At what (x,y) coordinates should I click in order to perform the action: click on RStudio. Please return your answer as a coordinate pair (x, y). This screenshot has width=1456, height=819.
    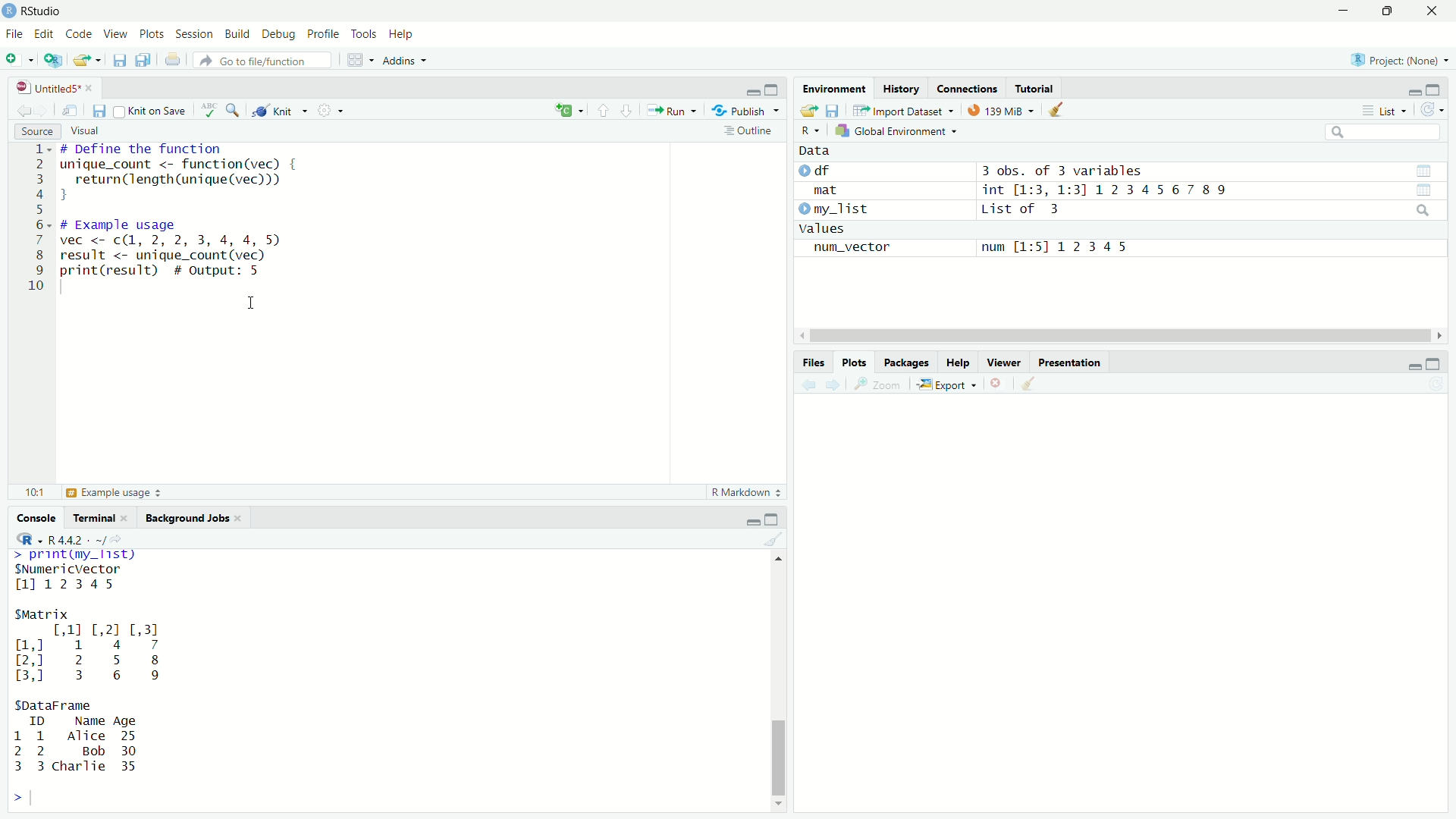
    Looking at the image, I should click on (43, 11).